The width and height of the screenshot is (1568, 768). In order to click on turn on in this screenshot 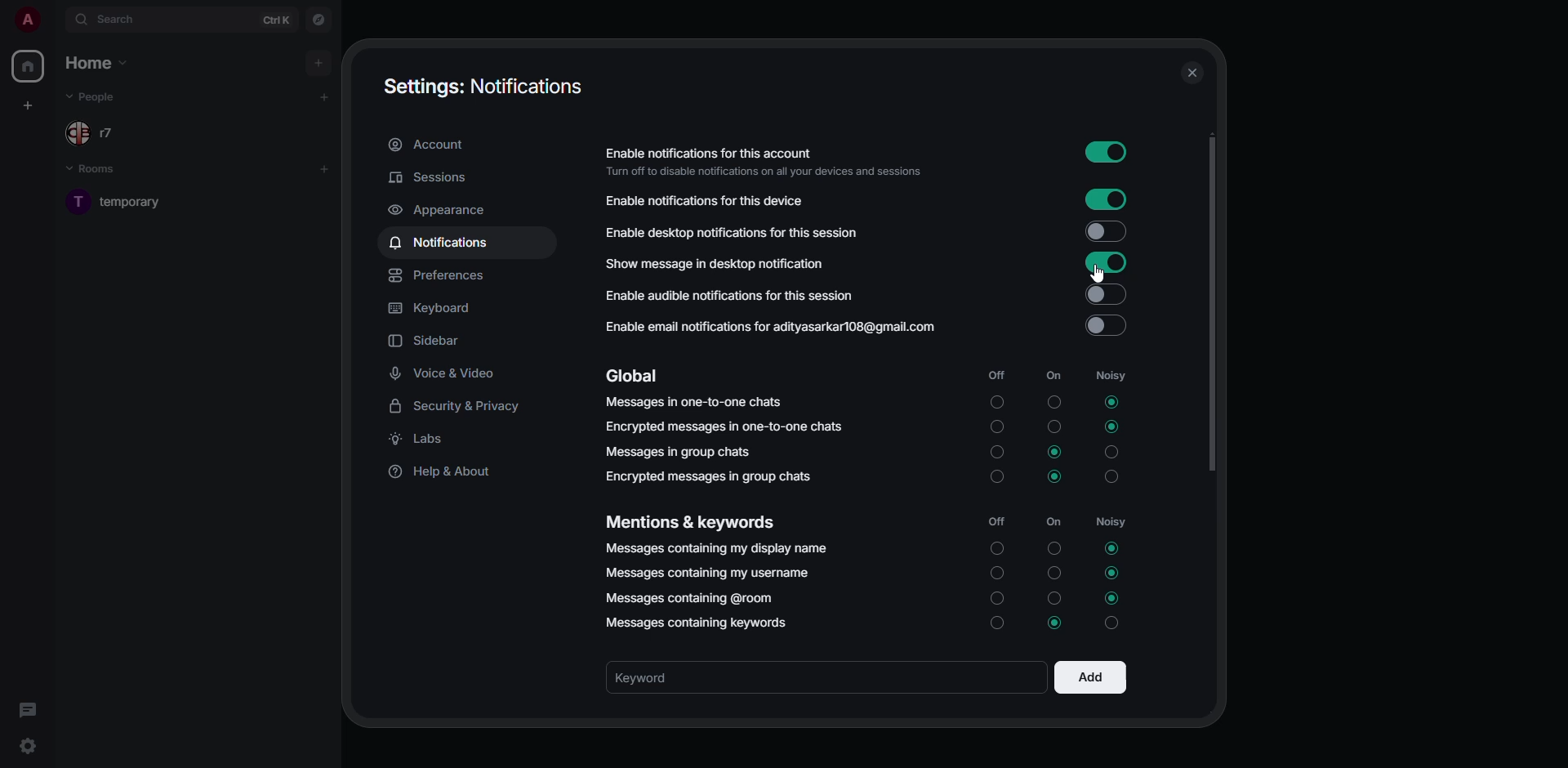, I will do `click(995, 601)`.